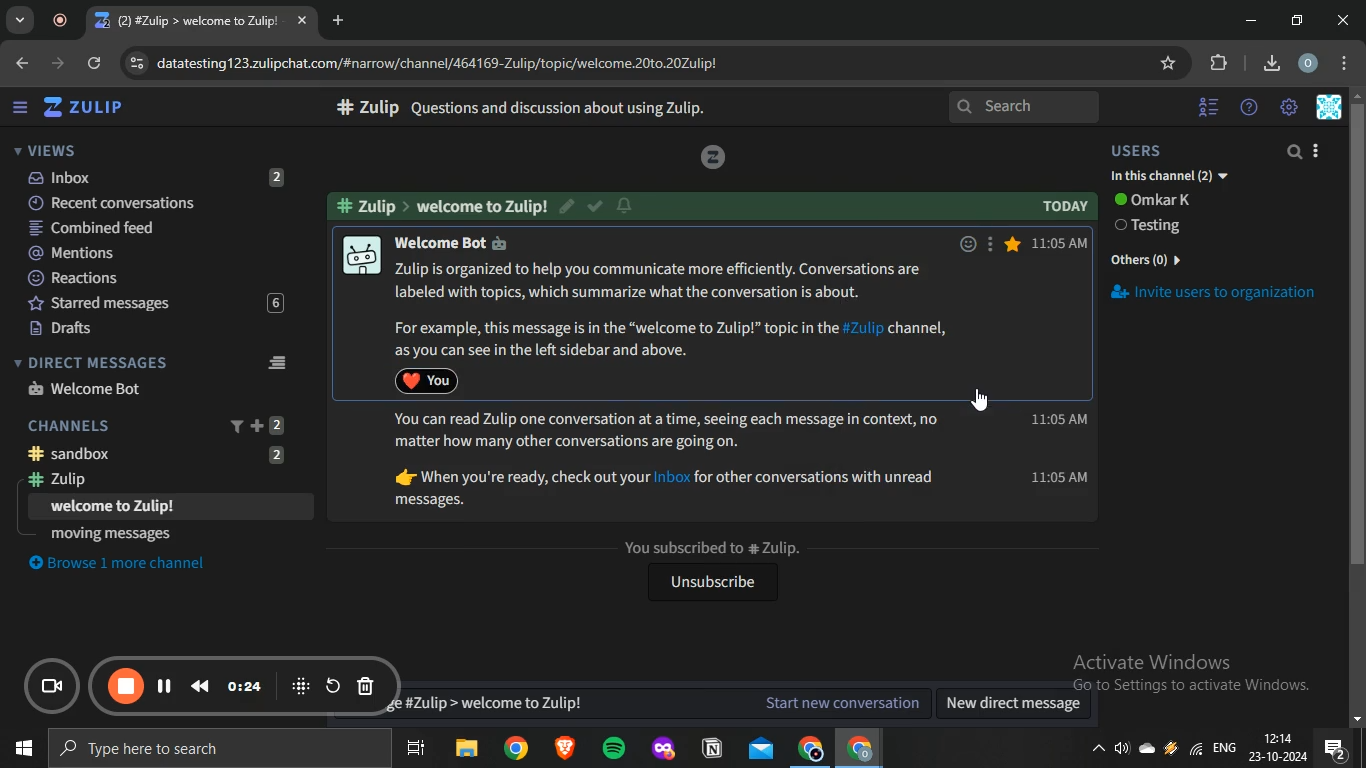 The height and width of the screenshot is (768, 1366). I want to click on tab, so click(190, 21).